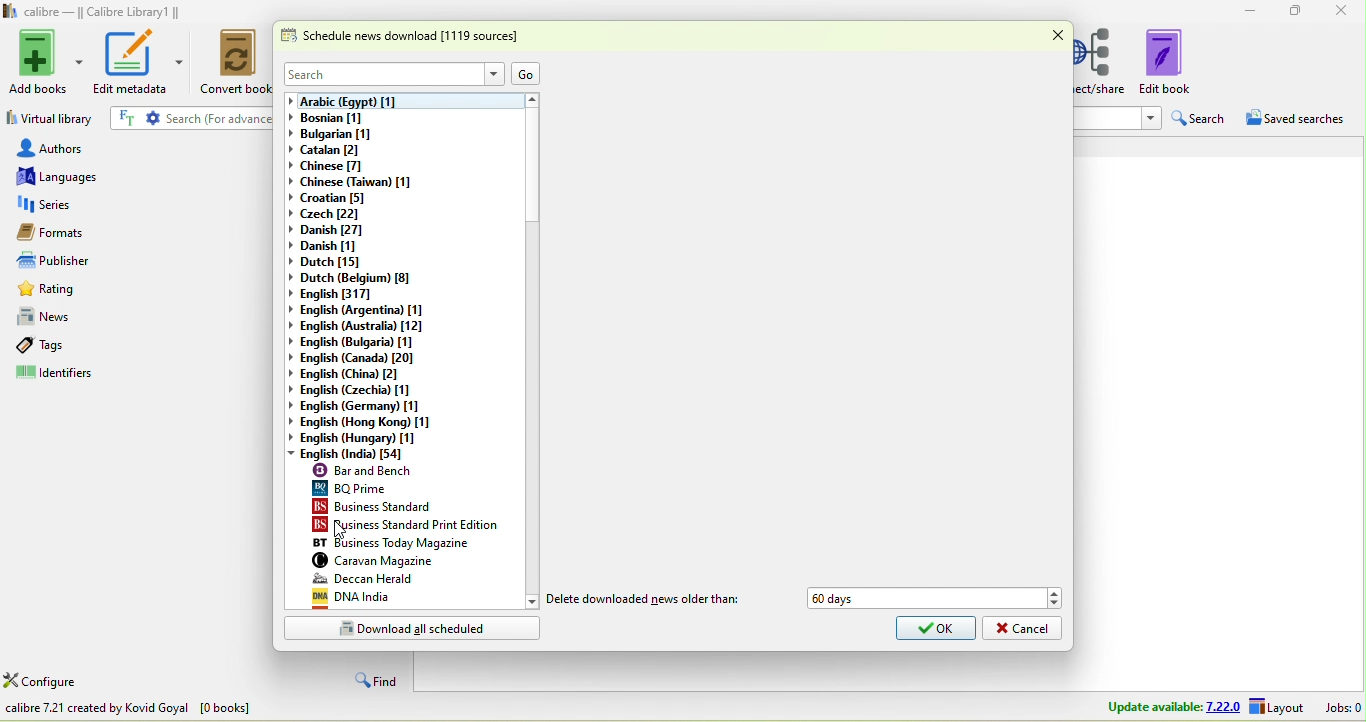  I want to click on cancel, so click(1025, 628).